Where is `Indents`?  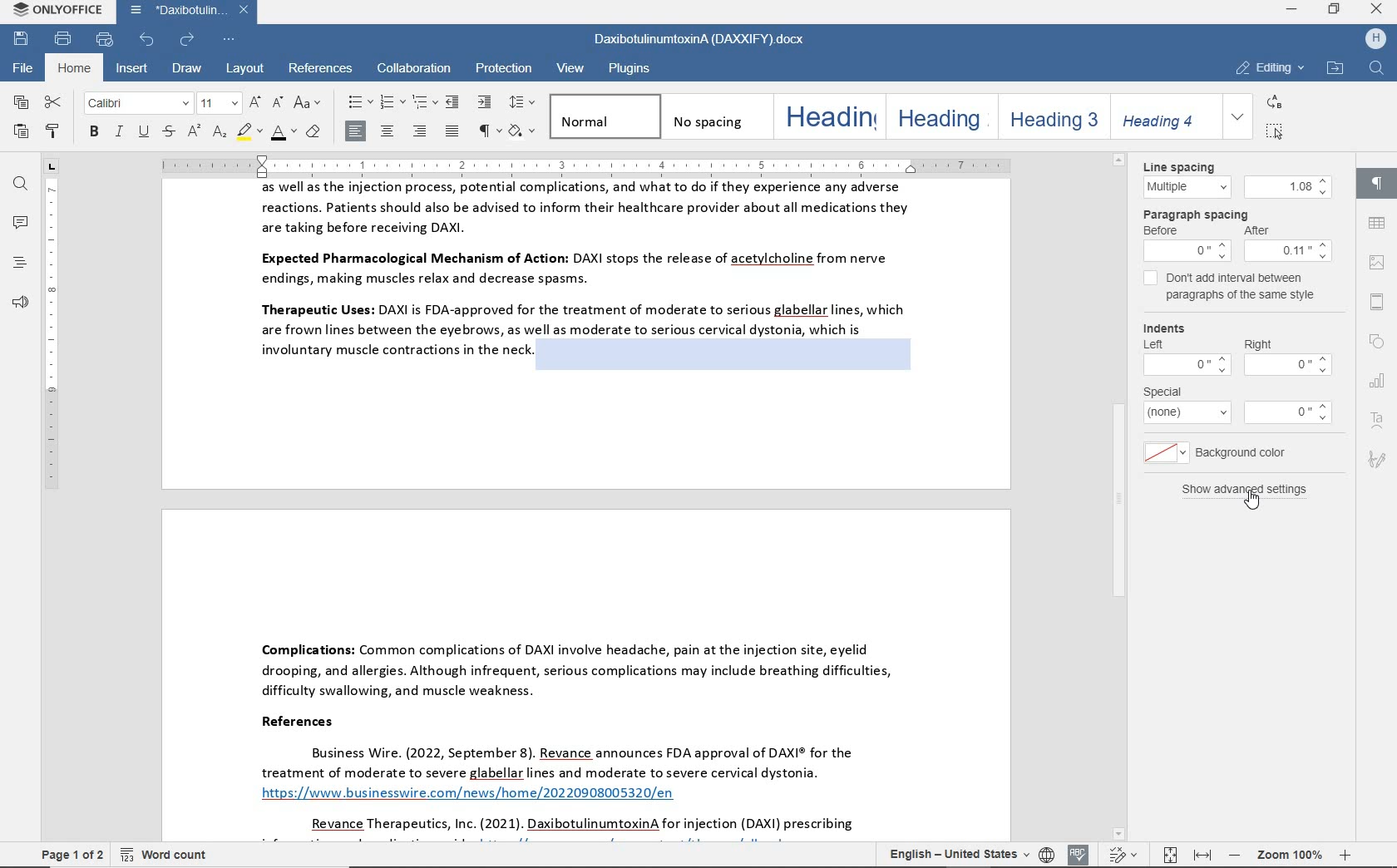 Indents is located at coordinates (1236, 348).